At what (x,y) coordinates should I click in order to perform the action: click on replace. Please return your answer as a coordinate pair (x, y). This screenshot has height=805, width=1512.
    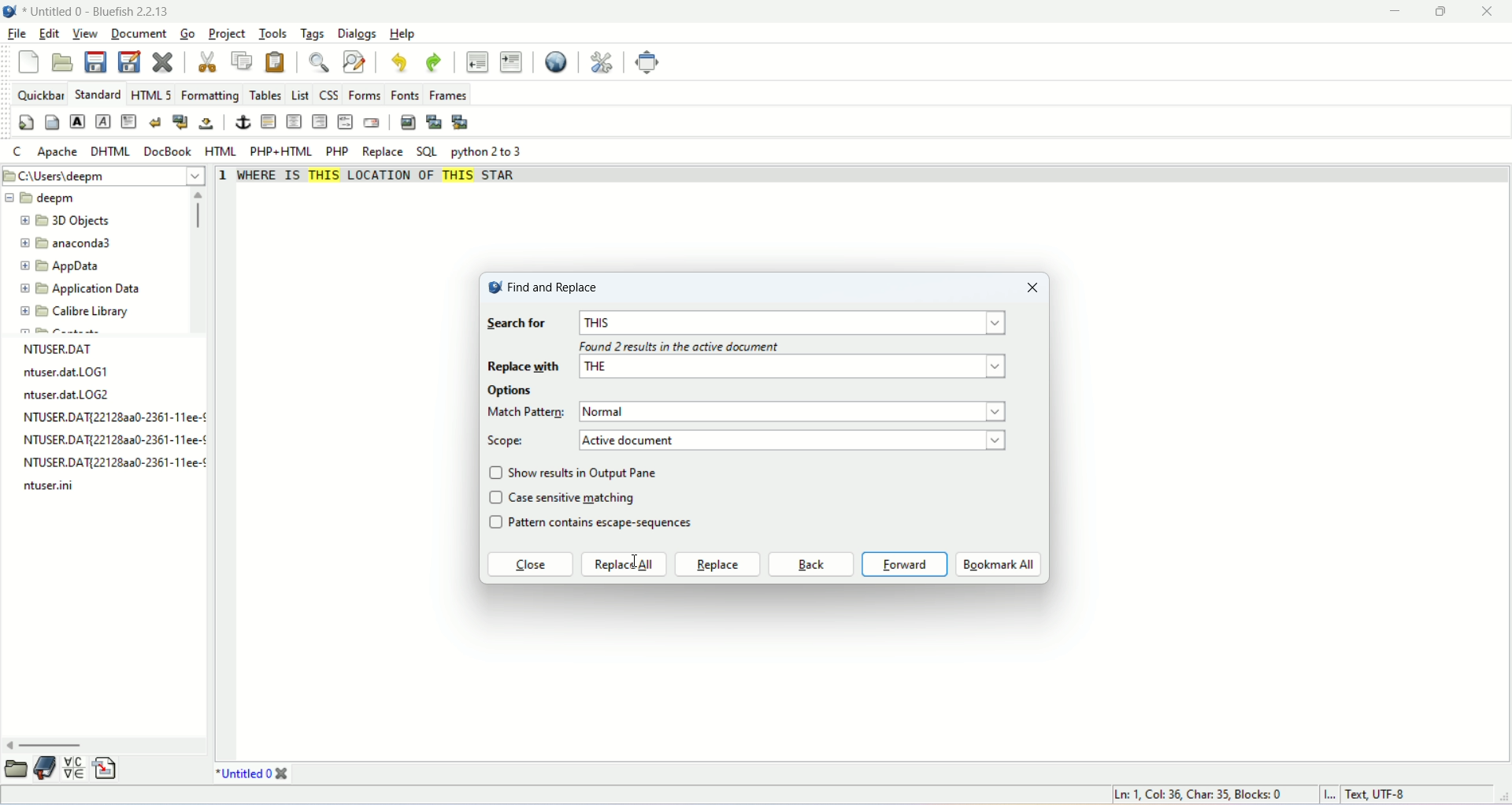
    Looking at the image, I should click on (381, 153).